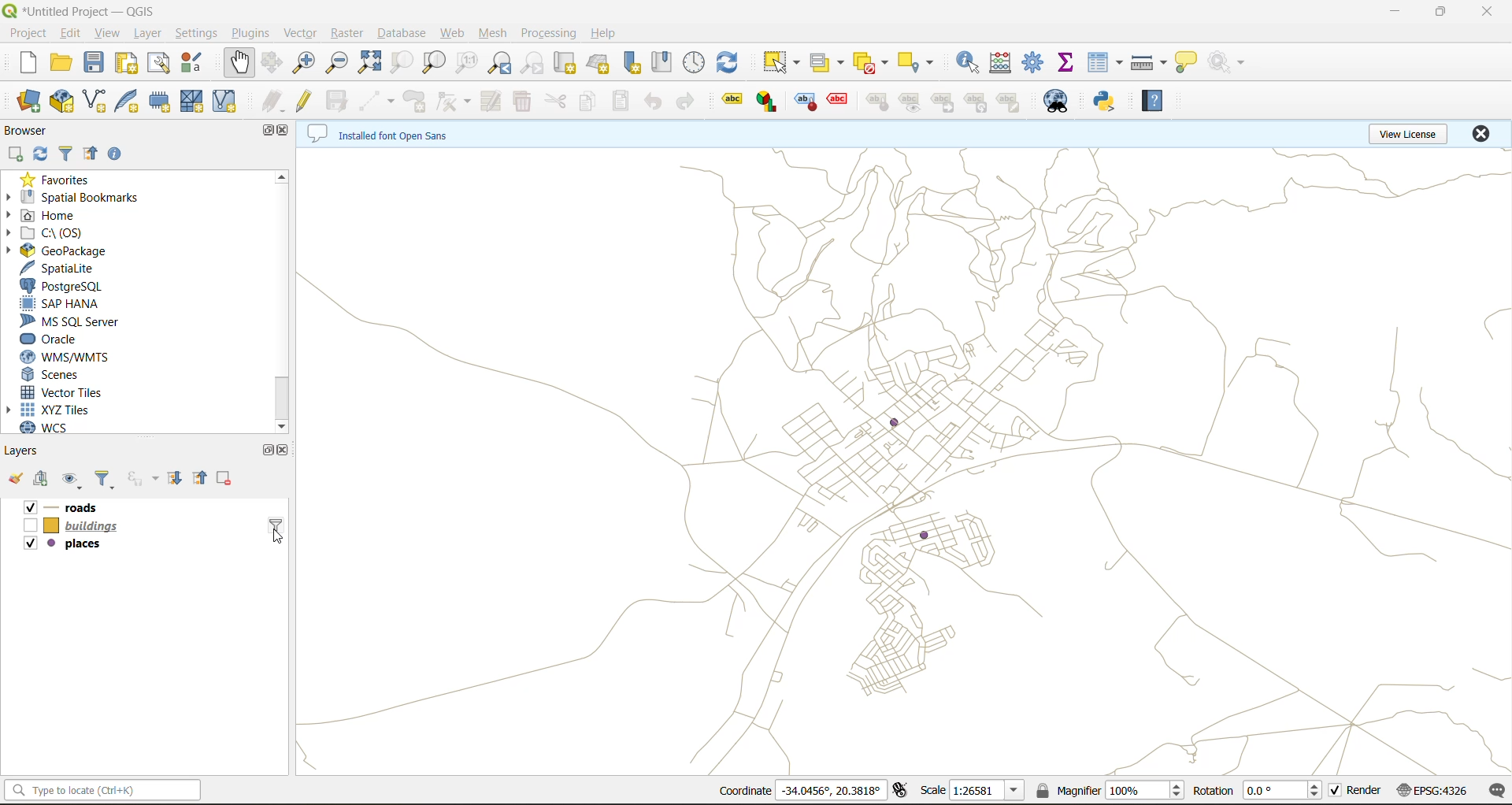 The width and height of the screenshot is (1512, 805). What do you see at coordinates (306, 102) in the screenshot?
I see `toggle edits` at bounding box center [306, 102].